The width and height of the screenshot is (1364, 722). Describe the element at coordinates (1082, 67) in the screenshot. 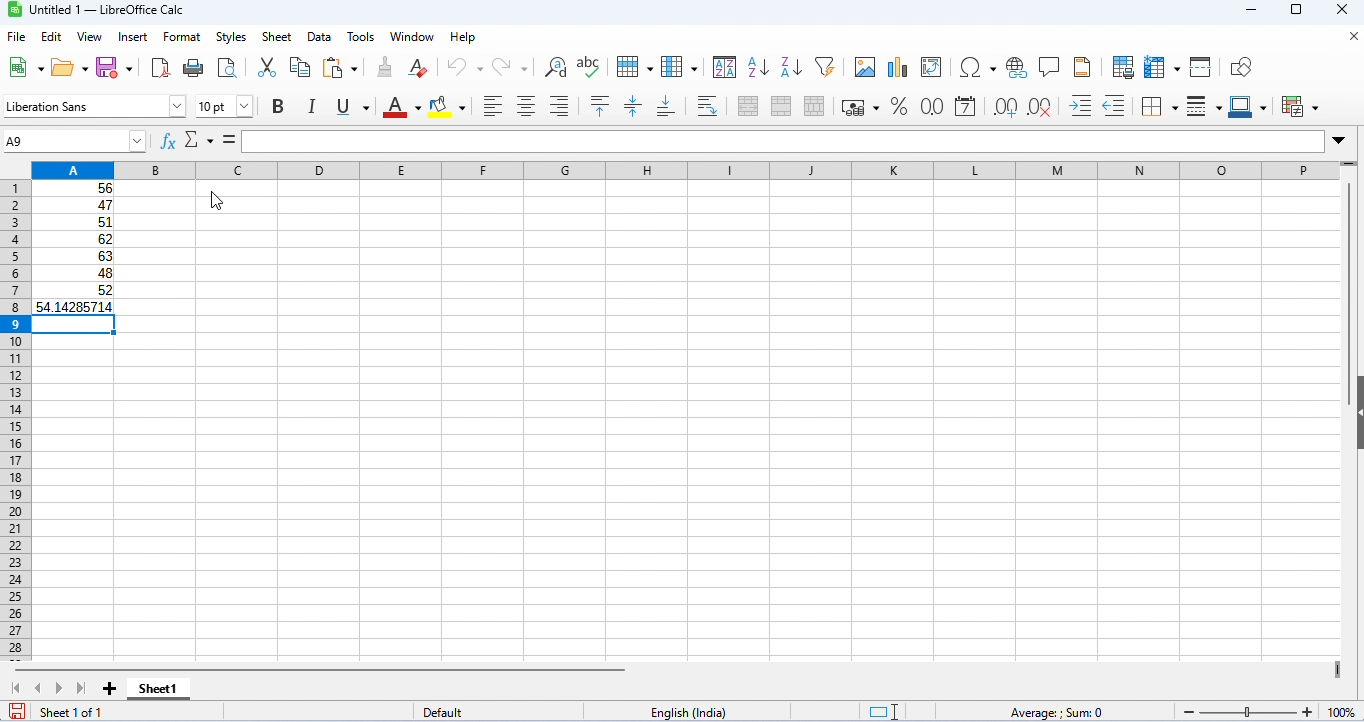

I see `insert header and footer` at that location.